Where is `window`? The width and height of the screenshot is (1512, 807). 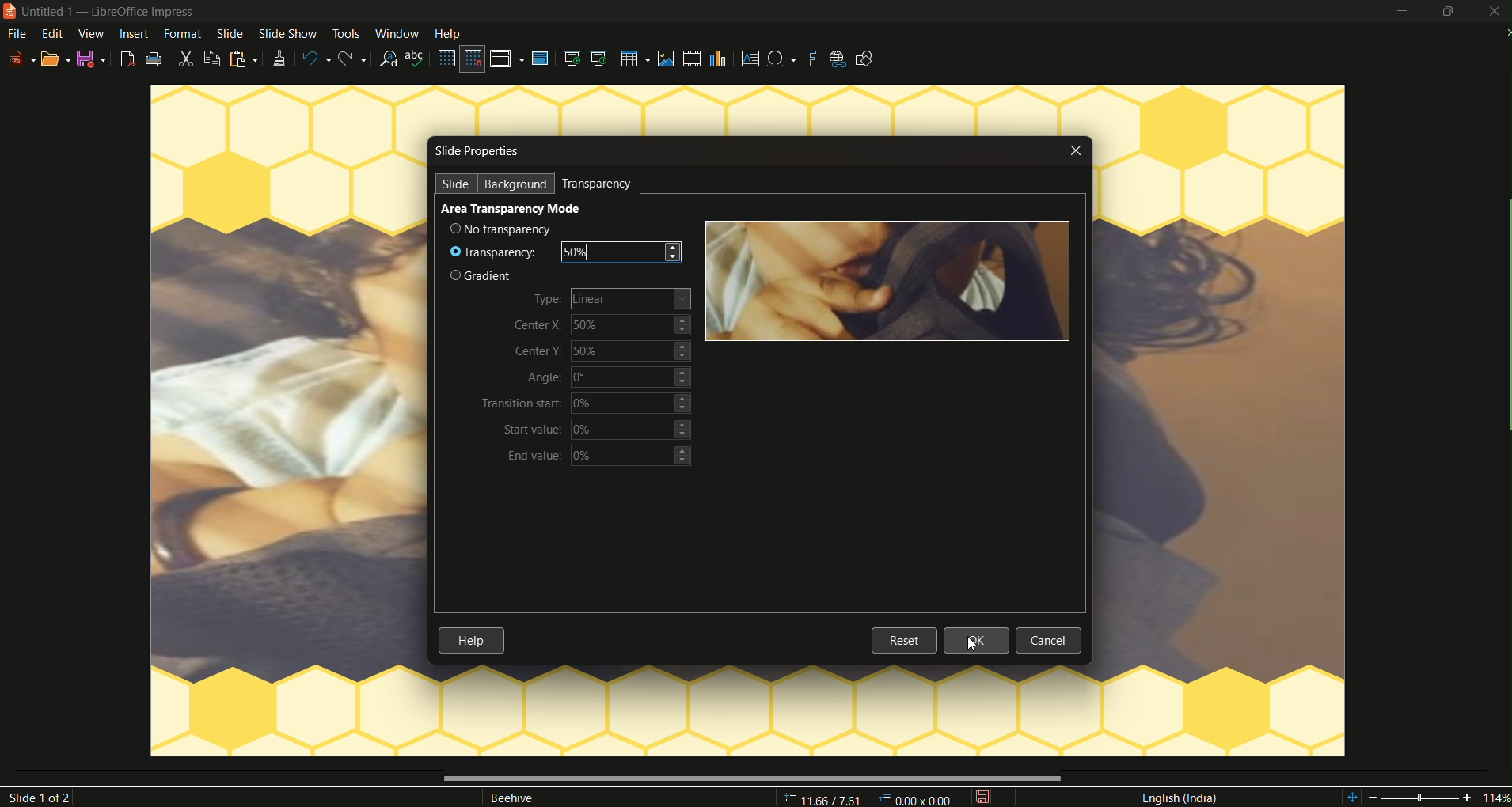
window is located at coordinates (398, 33).